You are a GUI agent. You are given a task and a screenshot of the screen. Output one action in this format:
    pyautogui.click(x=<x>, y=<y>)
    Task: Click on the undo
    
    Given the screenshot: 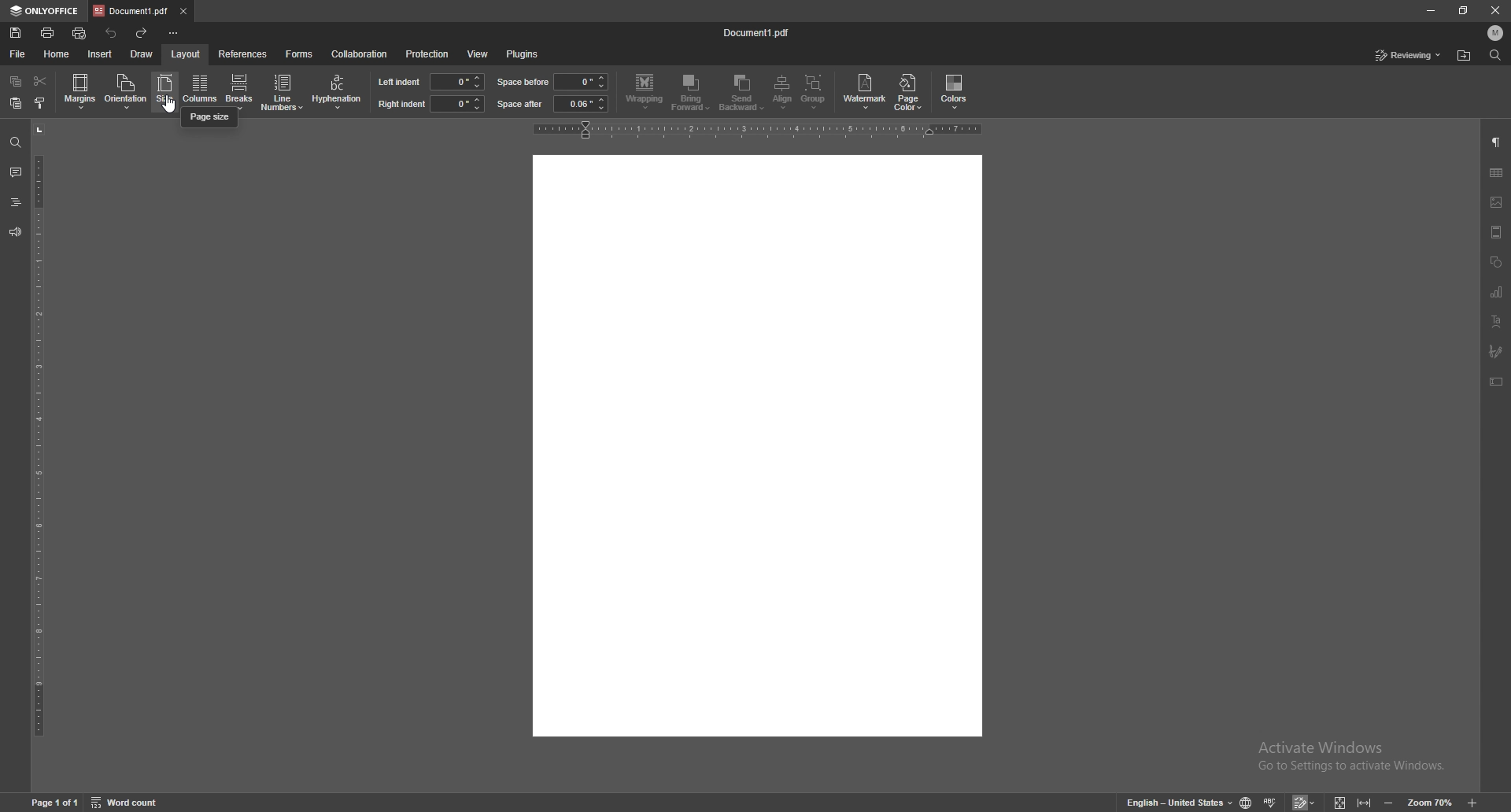 What is the action you would take?
    pyautogui.click(x=112, y=33)
    